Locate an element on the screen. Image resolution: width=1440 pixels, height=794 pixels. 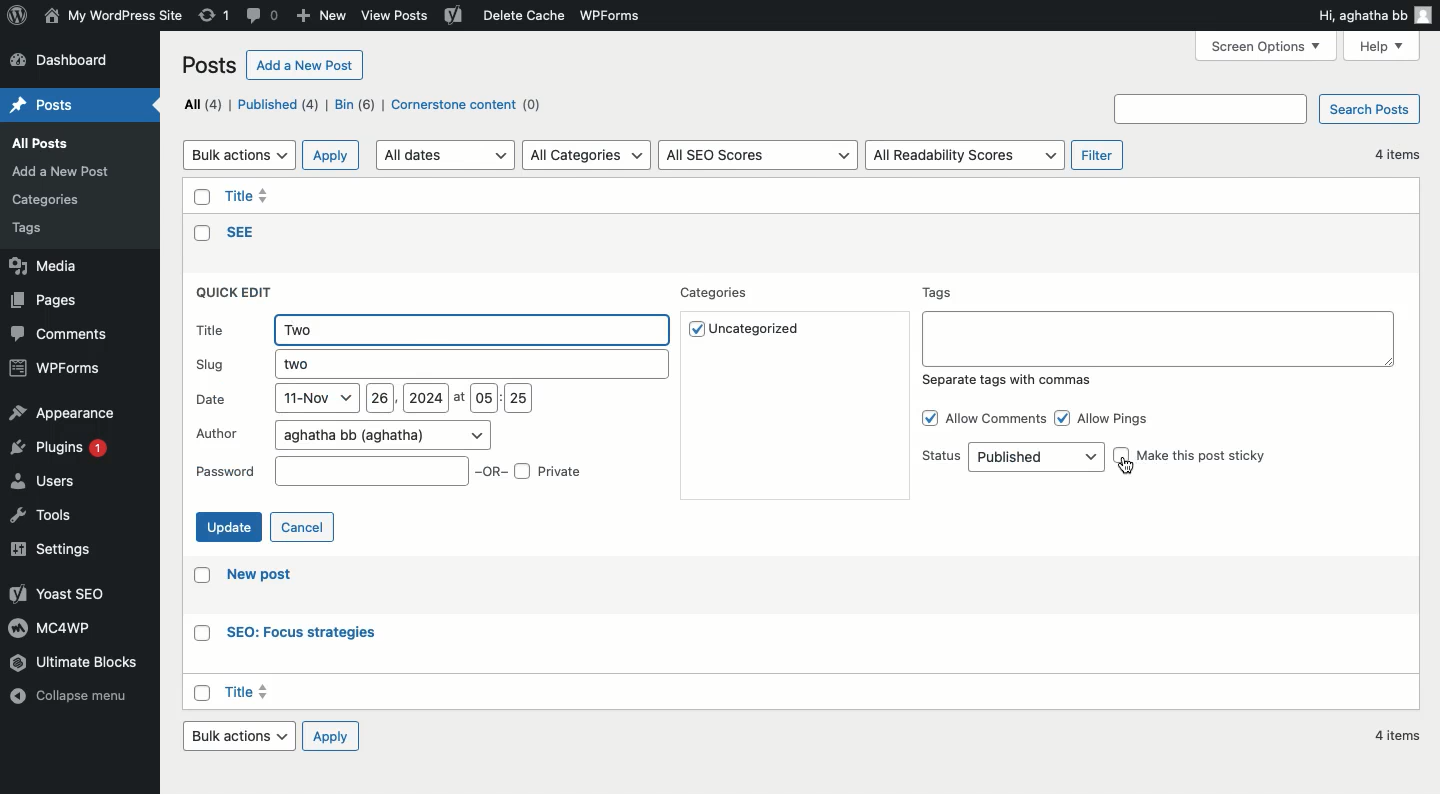
Slug is located at coordinates (428, 365).